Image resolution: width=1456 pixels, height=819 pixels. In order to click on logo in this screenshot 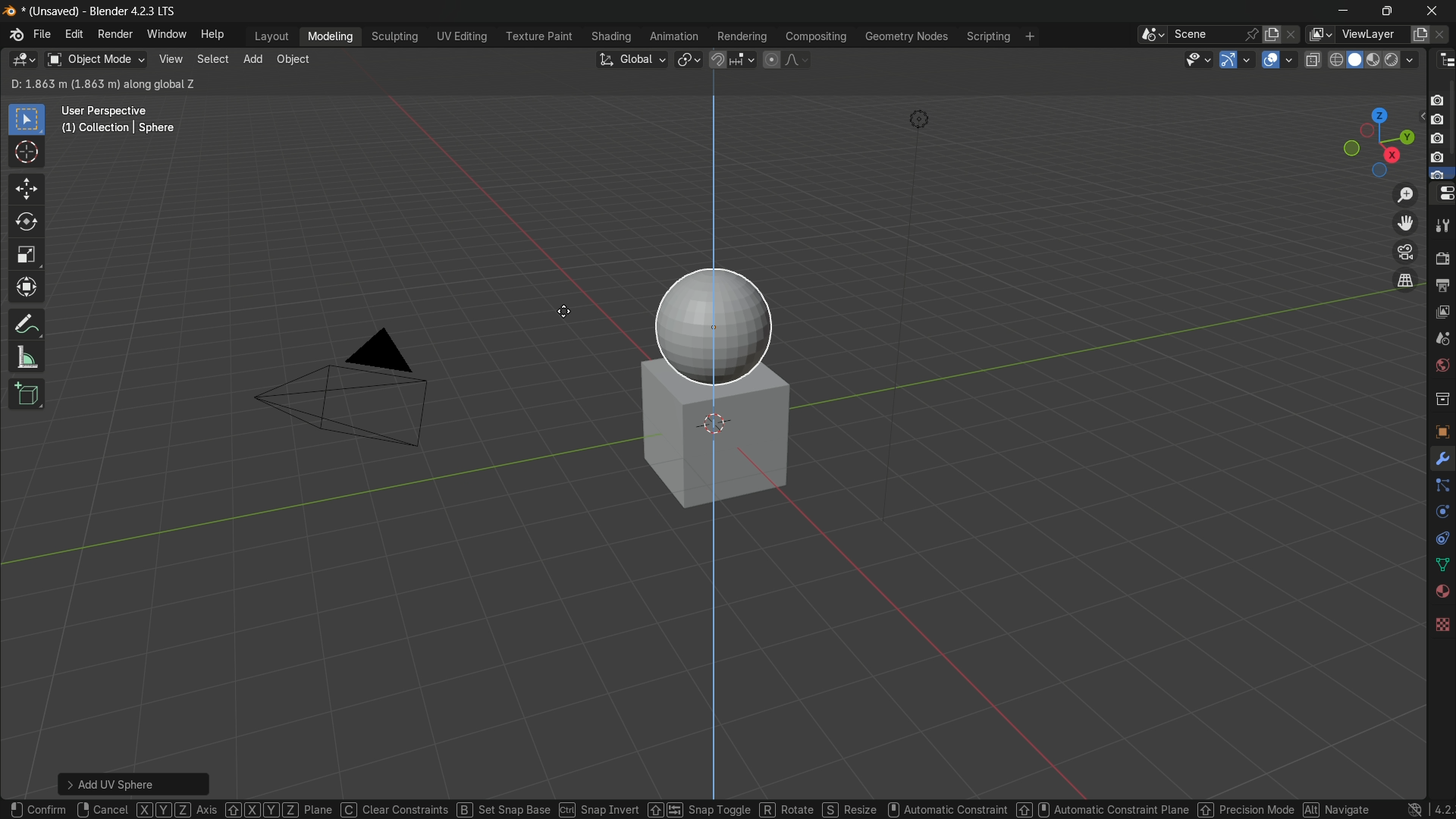, I will do `click(14, 34)`.